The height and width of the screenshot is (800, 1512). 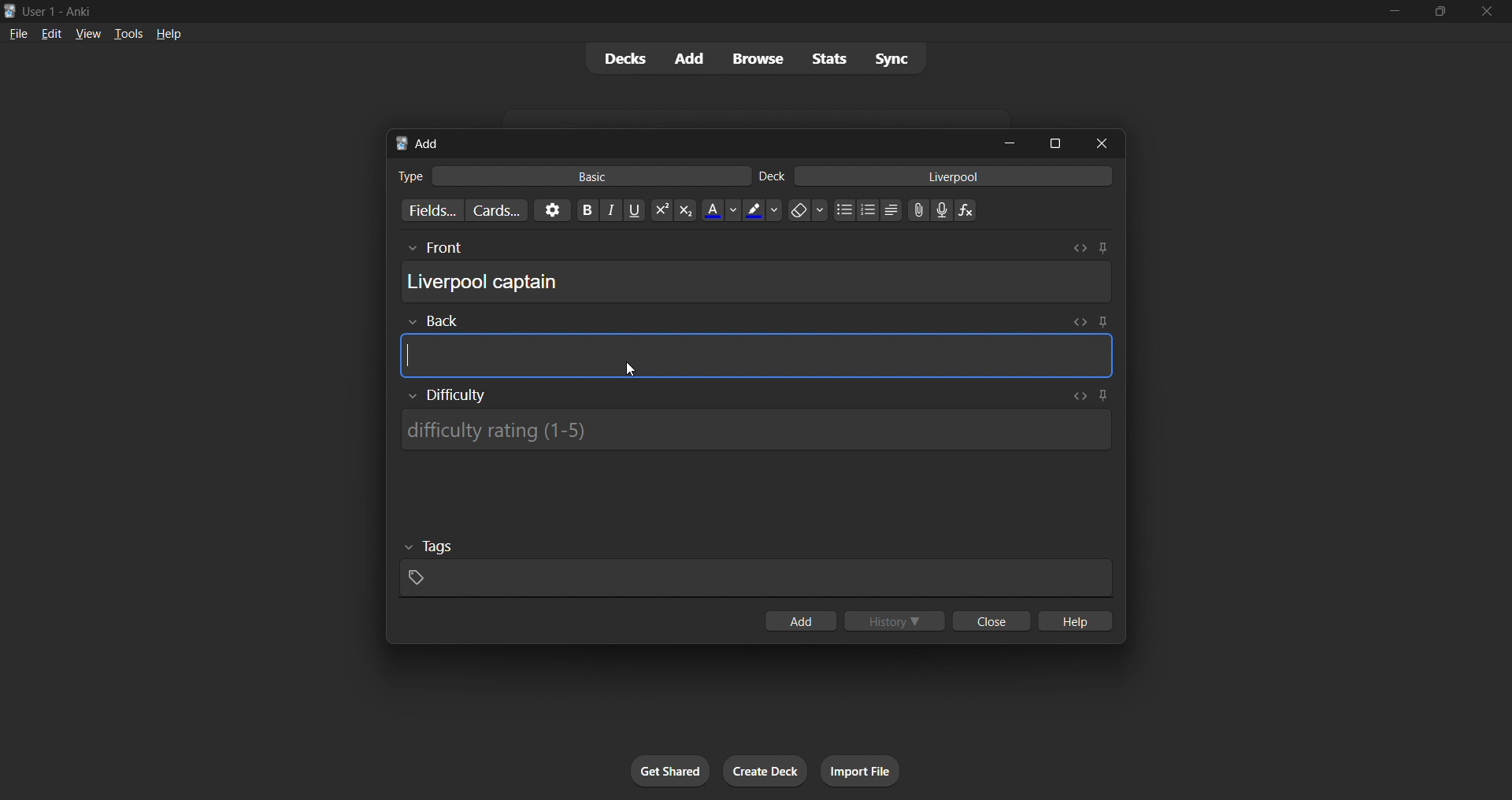 What do you see at coordinates (1102, 397) in the screenshot?
I see `Toggle sticky` at bounding box center [1102, 397].